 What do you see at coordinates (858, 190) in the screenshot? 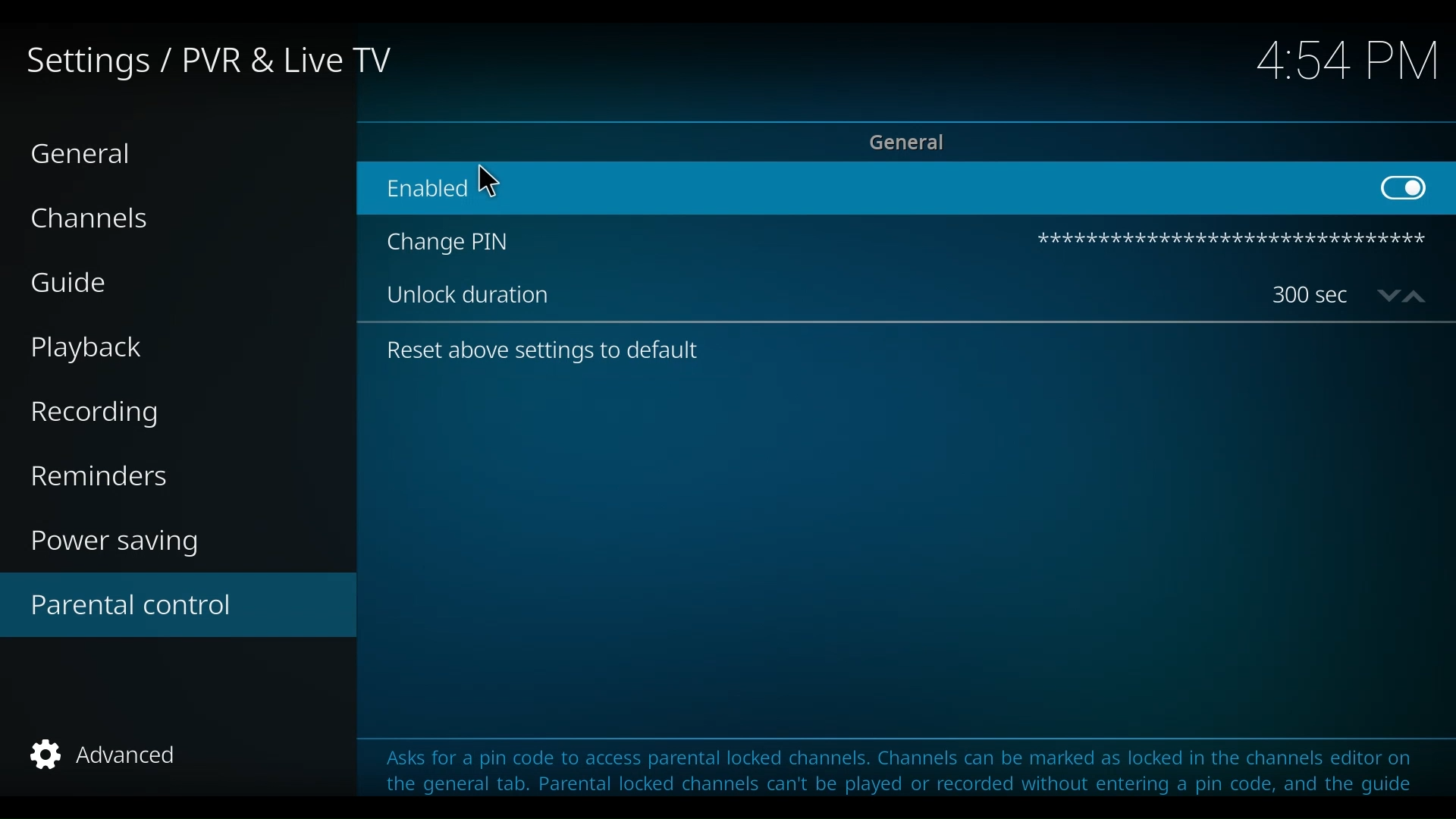
I see `Enabled` at bounding box center [858, 190].